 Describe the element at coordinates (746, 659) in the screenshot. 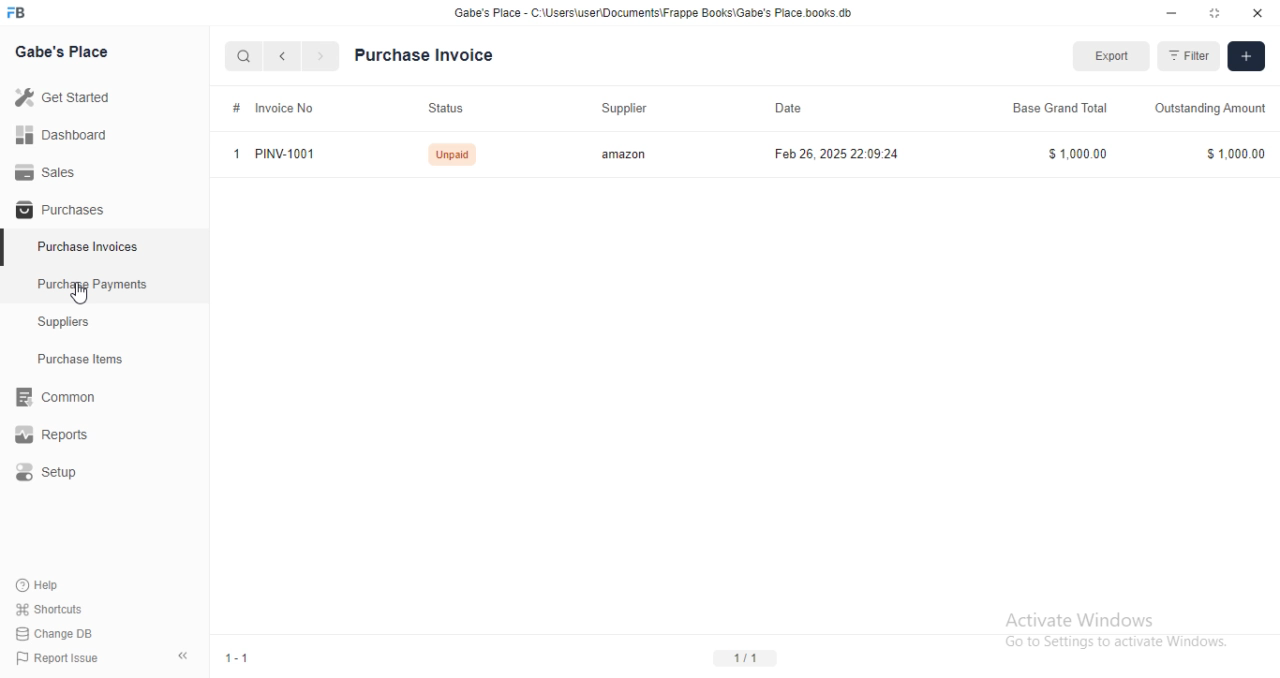

I see `1/1` at that location.